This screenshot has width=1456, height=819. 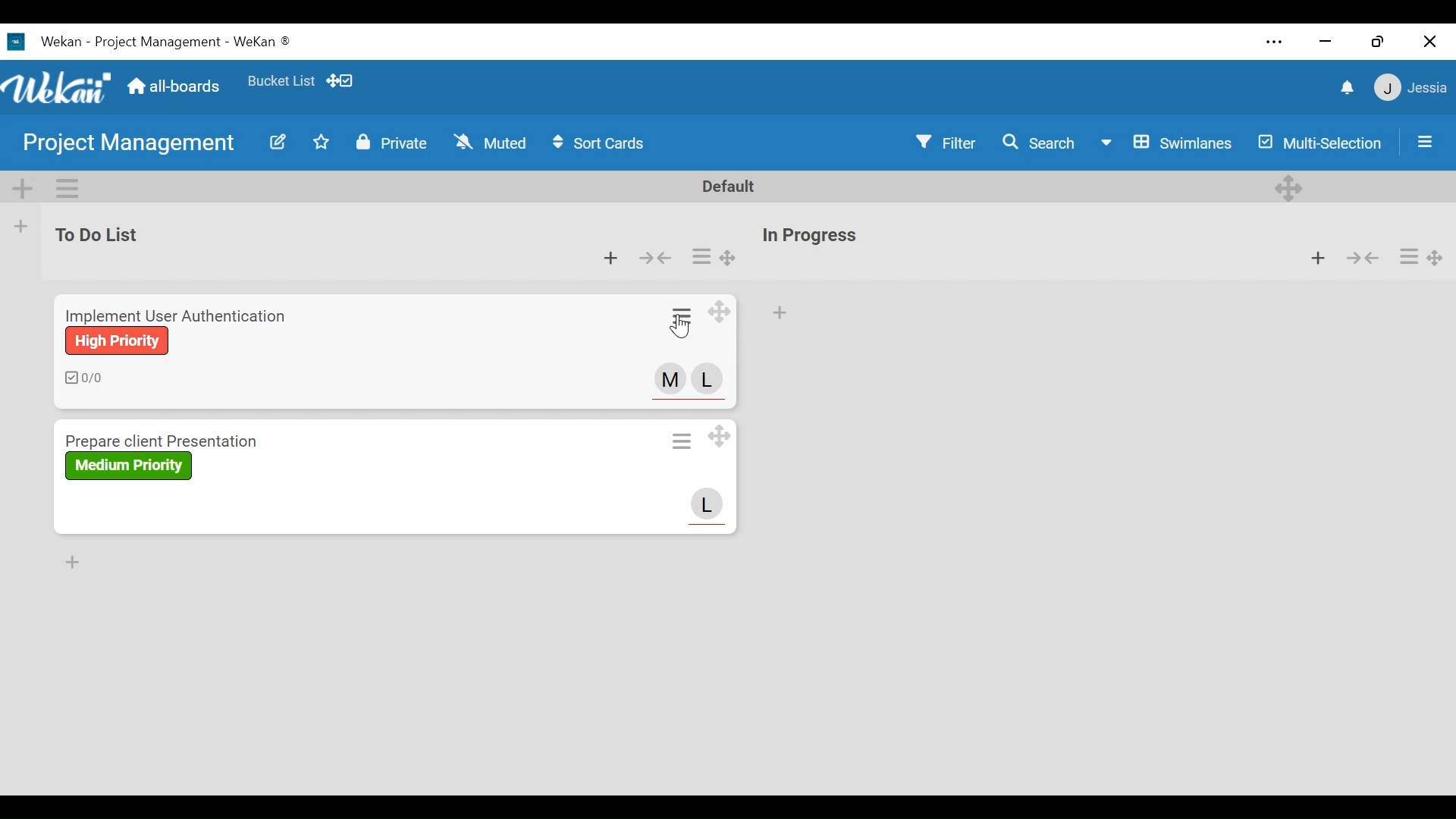 What do you see at coordinates (218, 439) in the screenshot?
I see `Card Title` at bounding box center [218, 439].